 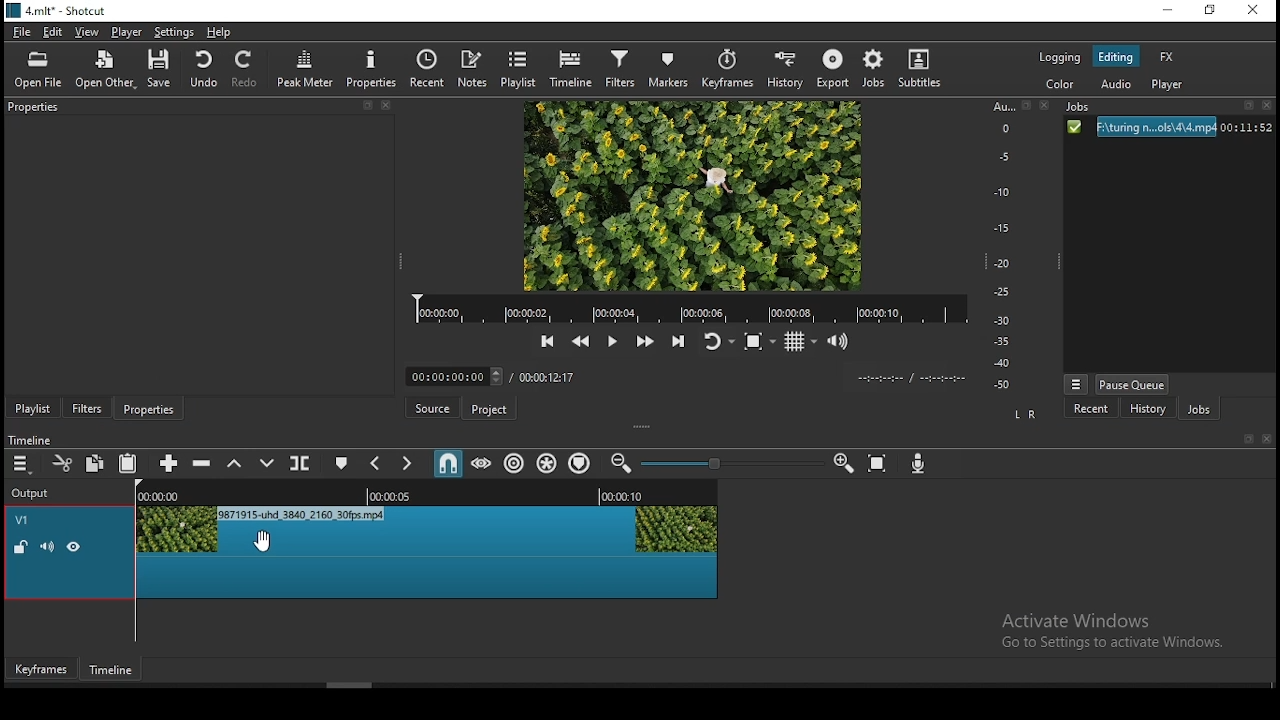 What do you see at coordinates (649, 341) in the screenshot?
I see `play quickly forwards` at bounding box center [649, 341].